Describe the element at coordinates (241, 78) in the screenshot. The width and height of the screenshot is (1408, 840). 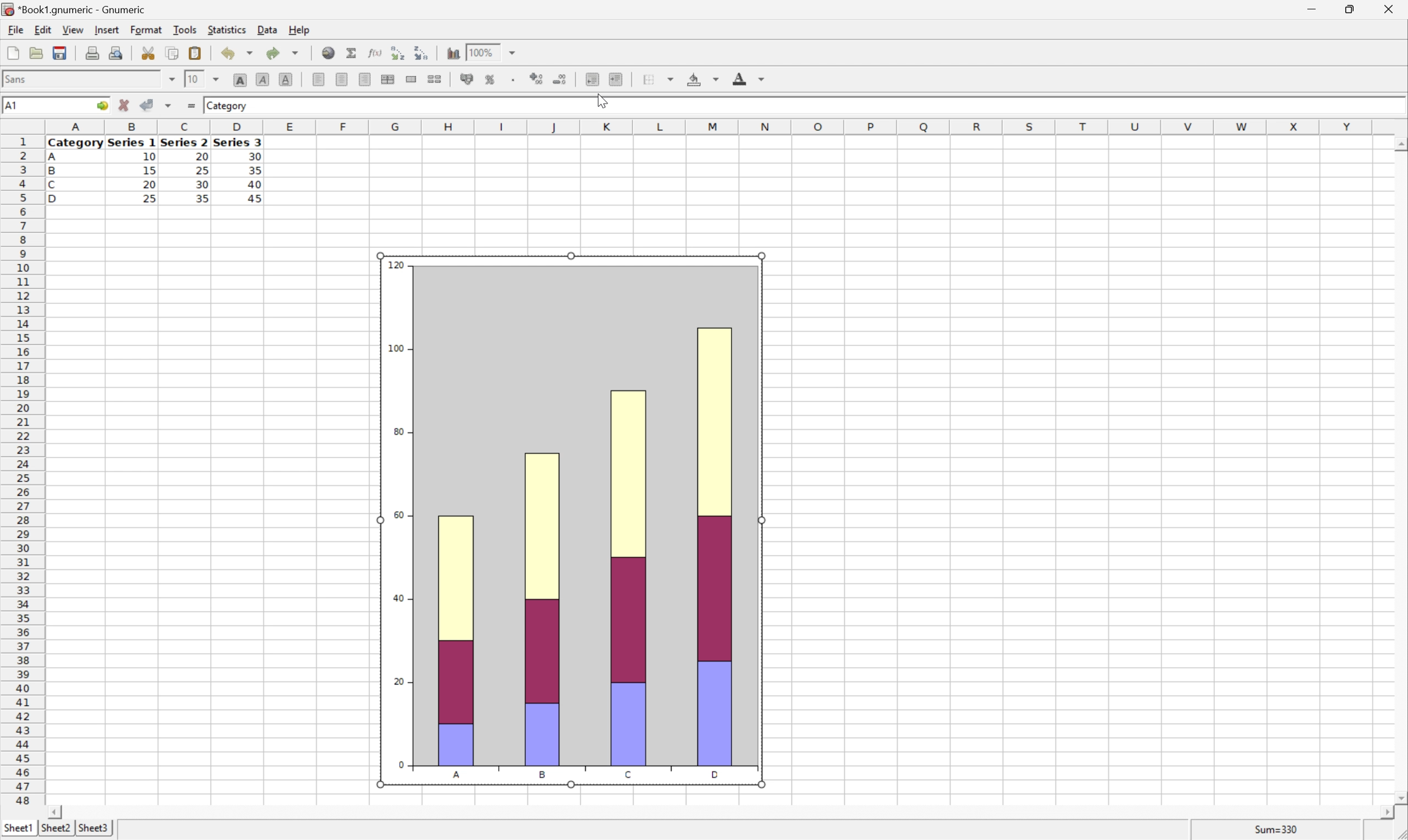
I see `Bold` at that location.